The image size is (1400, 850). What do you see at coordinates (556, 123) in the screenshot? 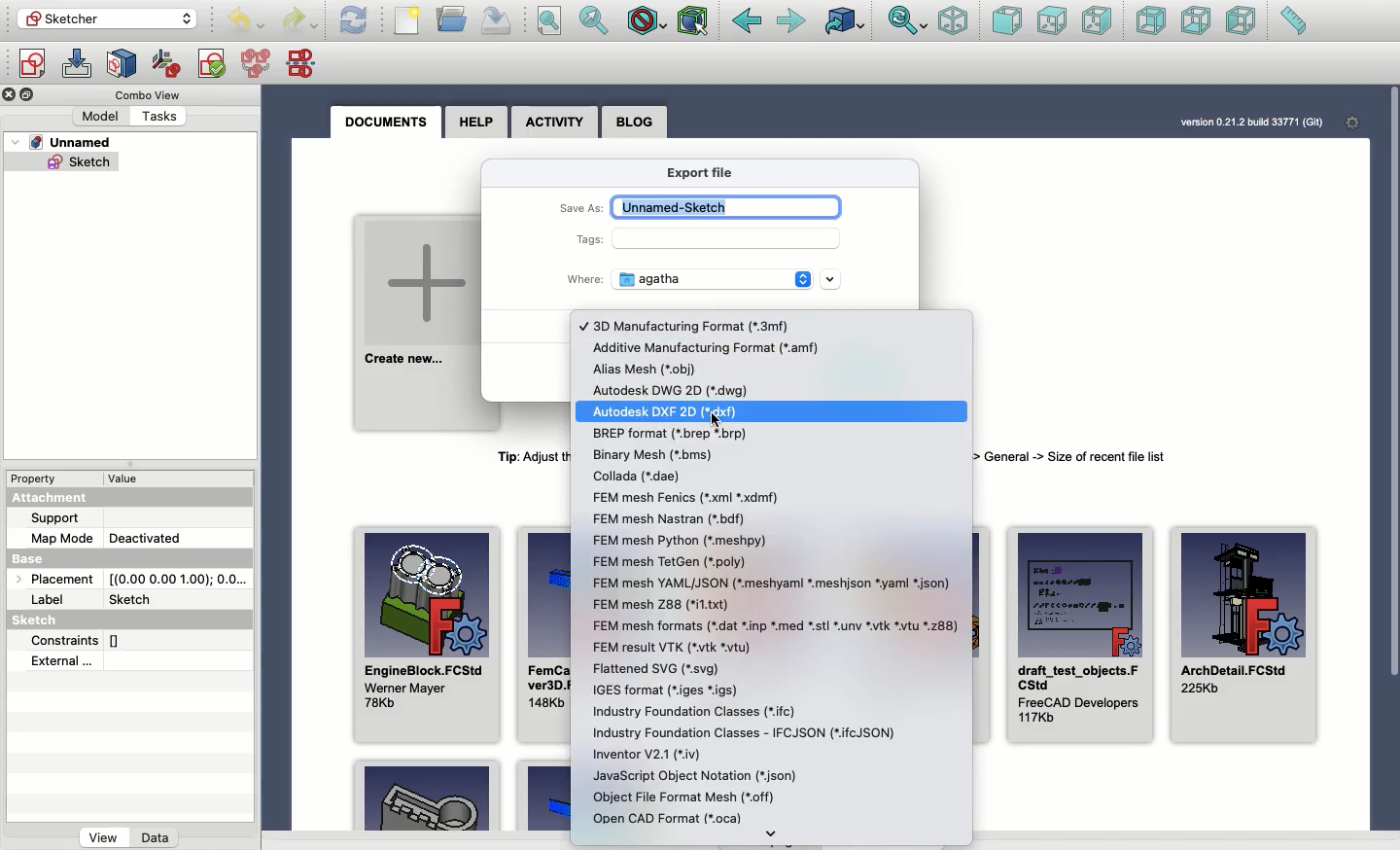
I see `Activity ` at bounding box center [556, 123].